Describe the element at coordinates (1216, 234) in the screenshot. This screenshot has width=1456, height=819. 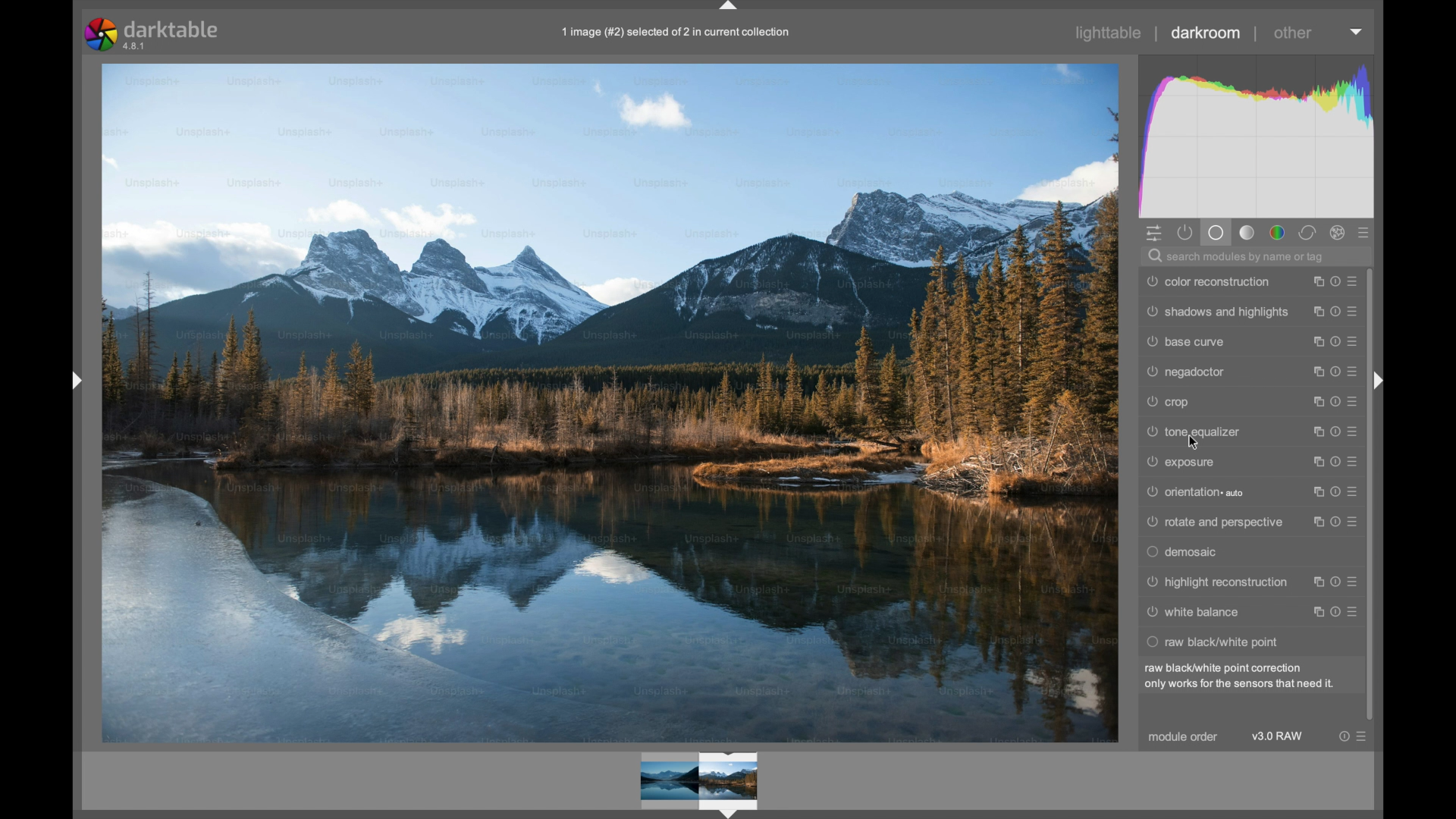
I see `base` at that location.